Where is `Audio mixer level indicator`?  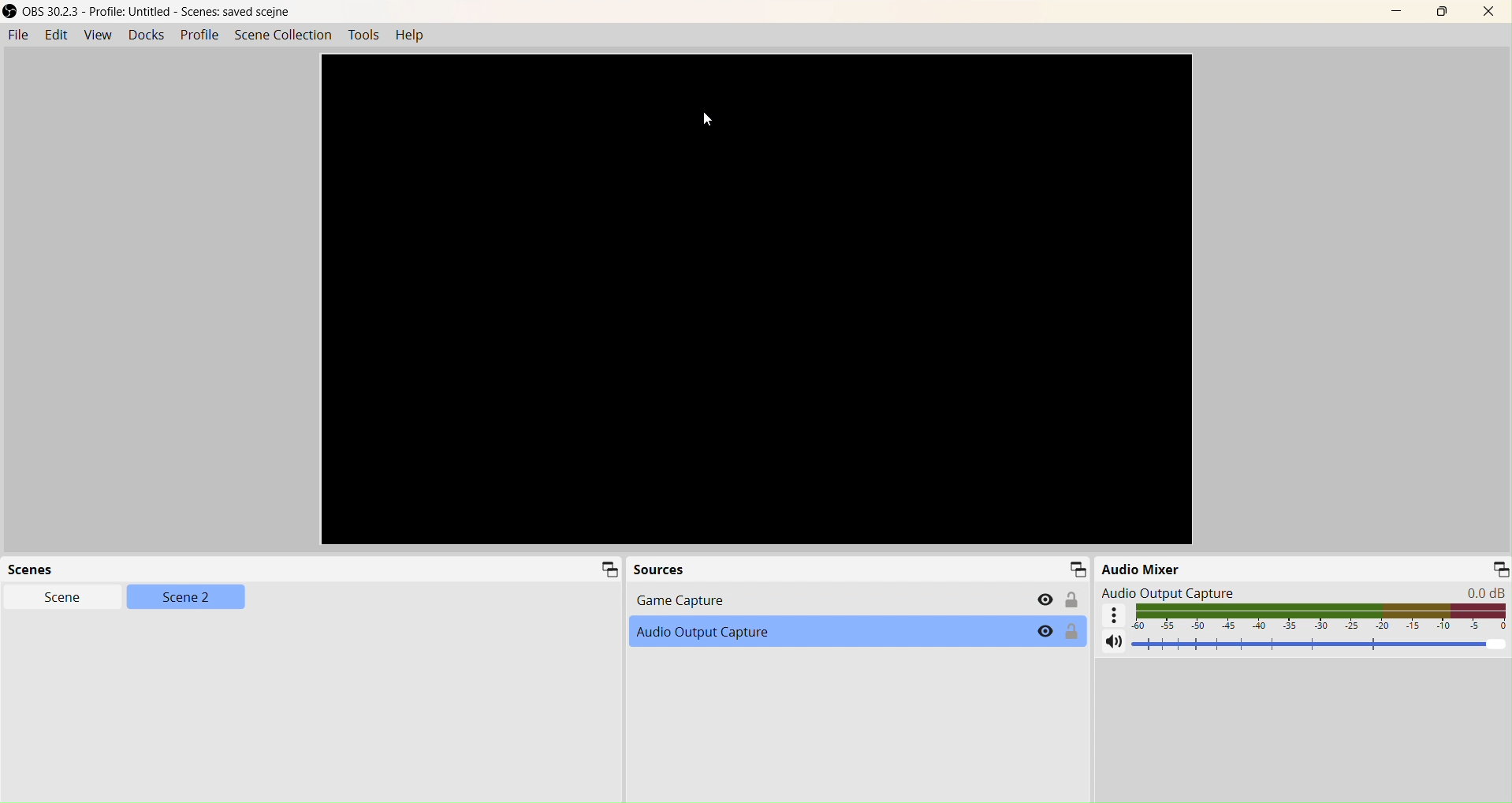
Audio mixer level indicator is located at coordinates (1305, 618).